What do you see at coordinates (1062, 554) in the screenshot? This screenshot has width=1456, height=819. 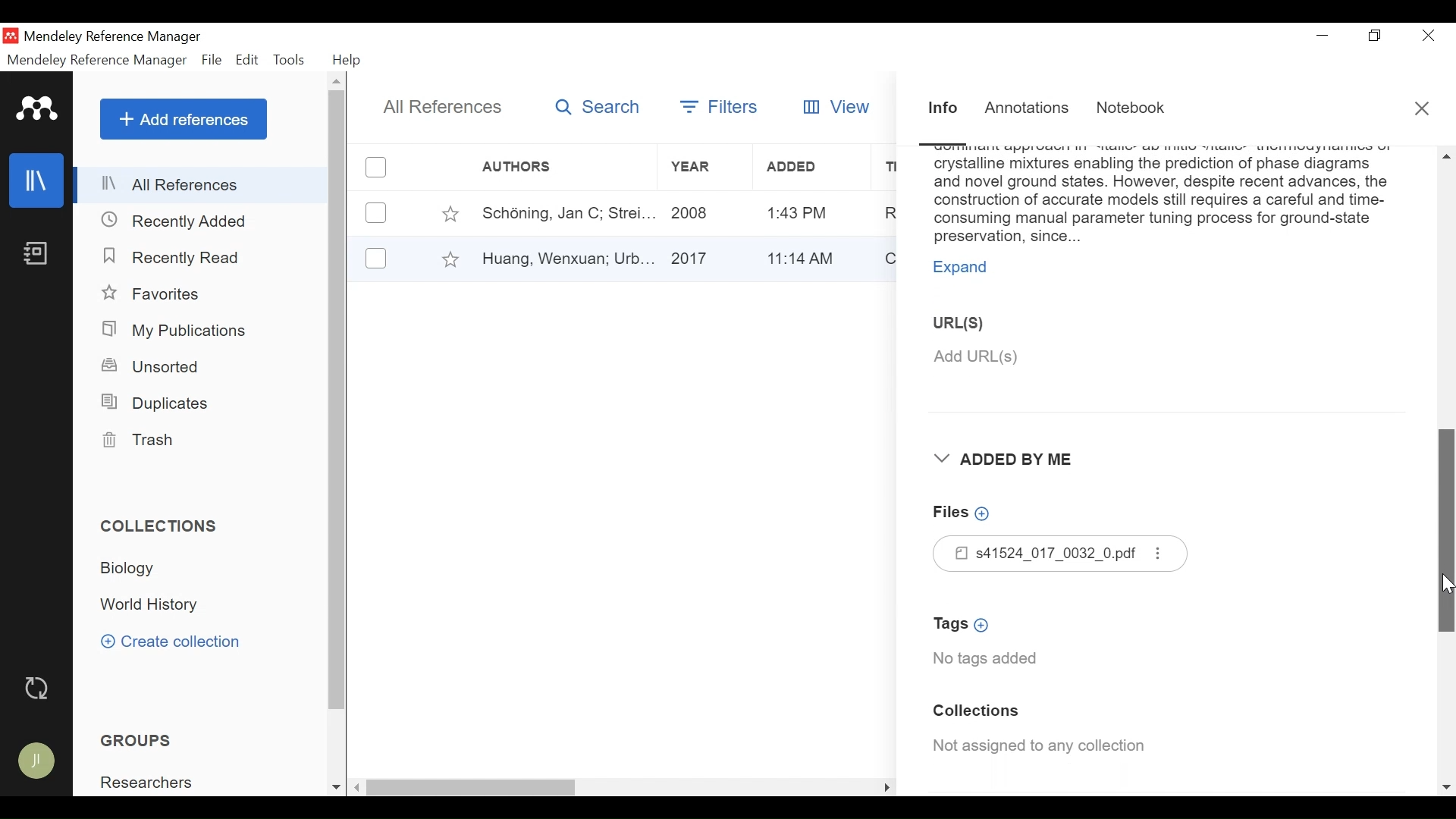 I see `Files` at bounding box center [1062, 554].